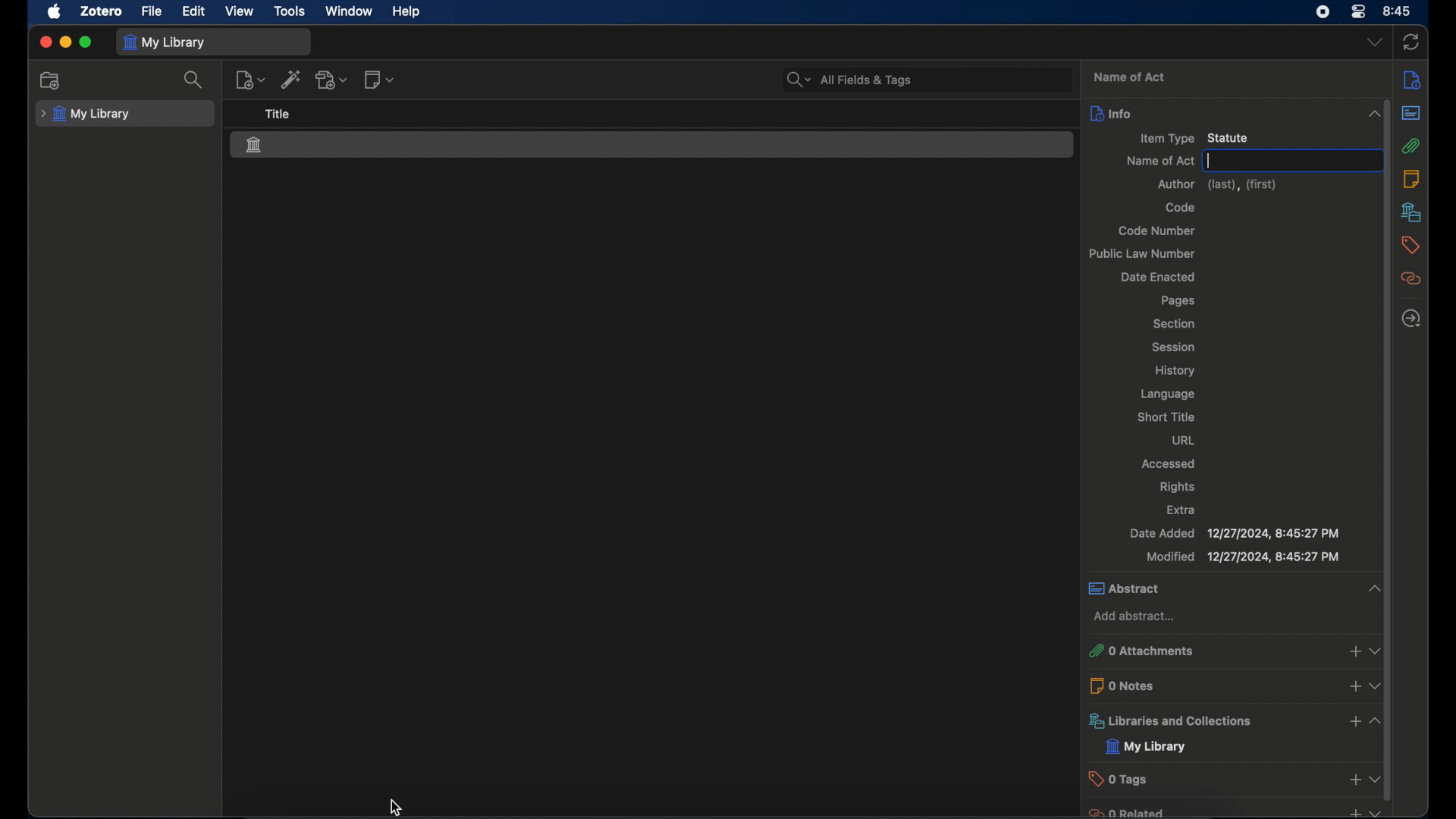 The height and width of the screenshot is (819, 1456). I want to click on date added, so click(1232, 534).